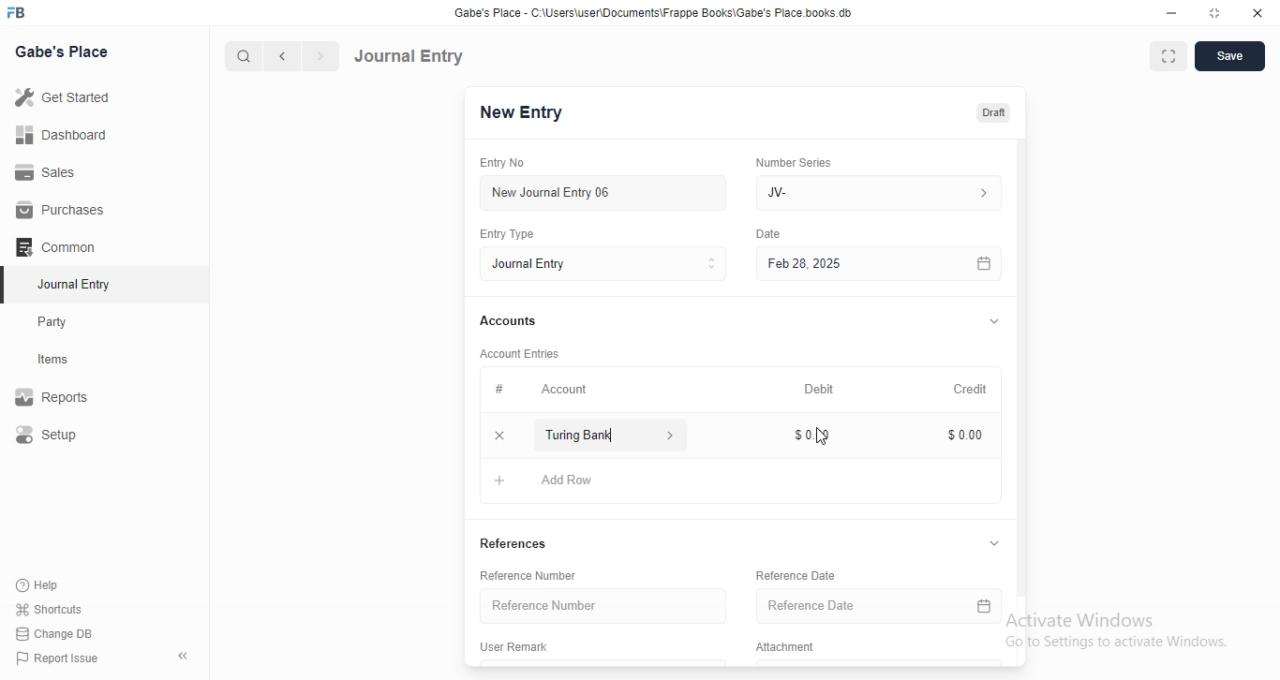  Describe the element at coordinates (60, 633) in the screenshot. I see `Change DB` at that location.